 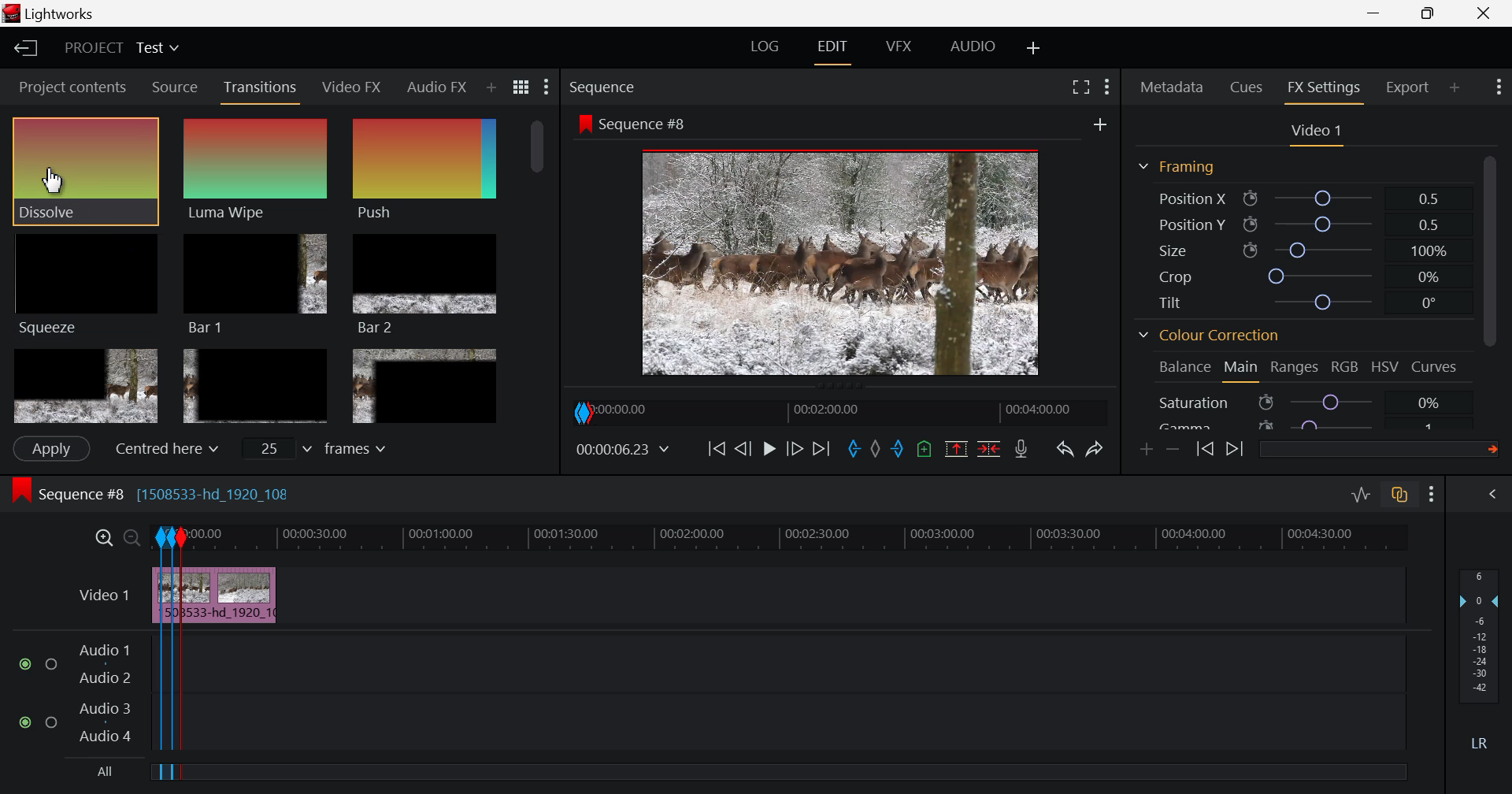 I want to click on Audio Level, so click(x=1484, y=661).